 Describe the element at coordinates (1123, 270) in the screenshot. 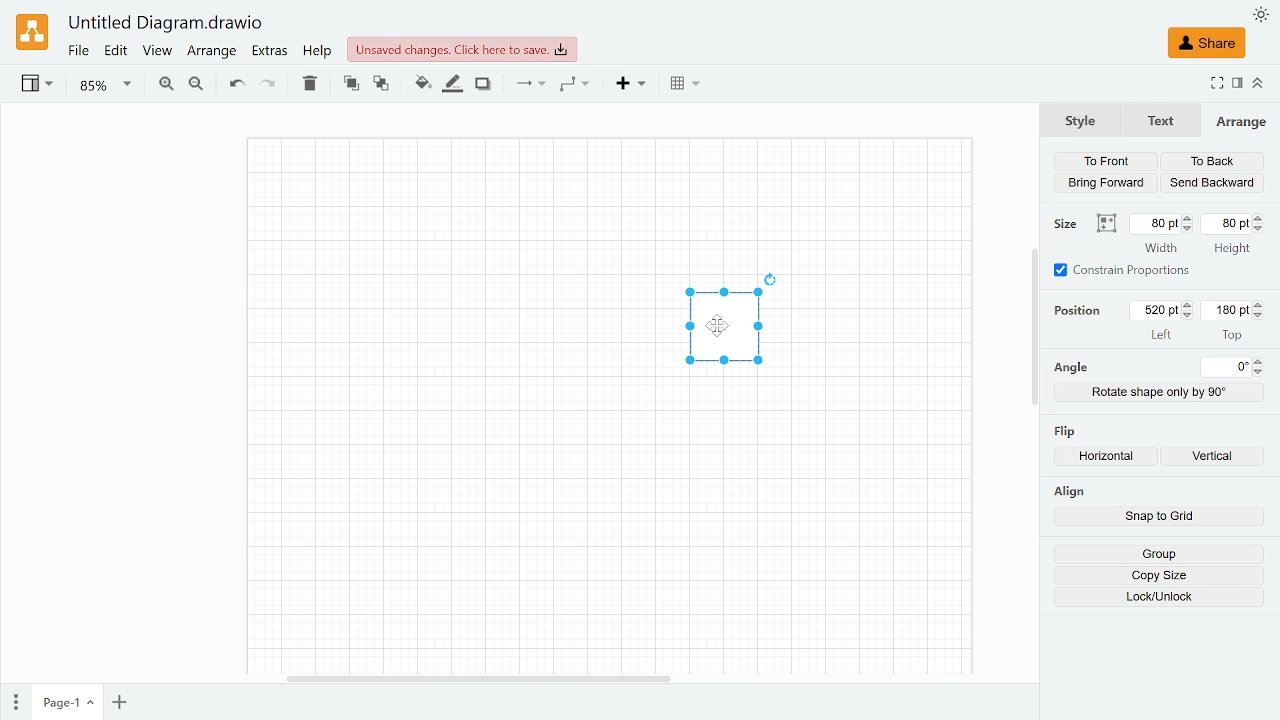

I see `Constrain proportions` at that location.